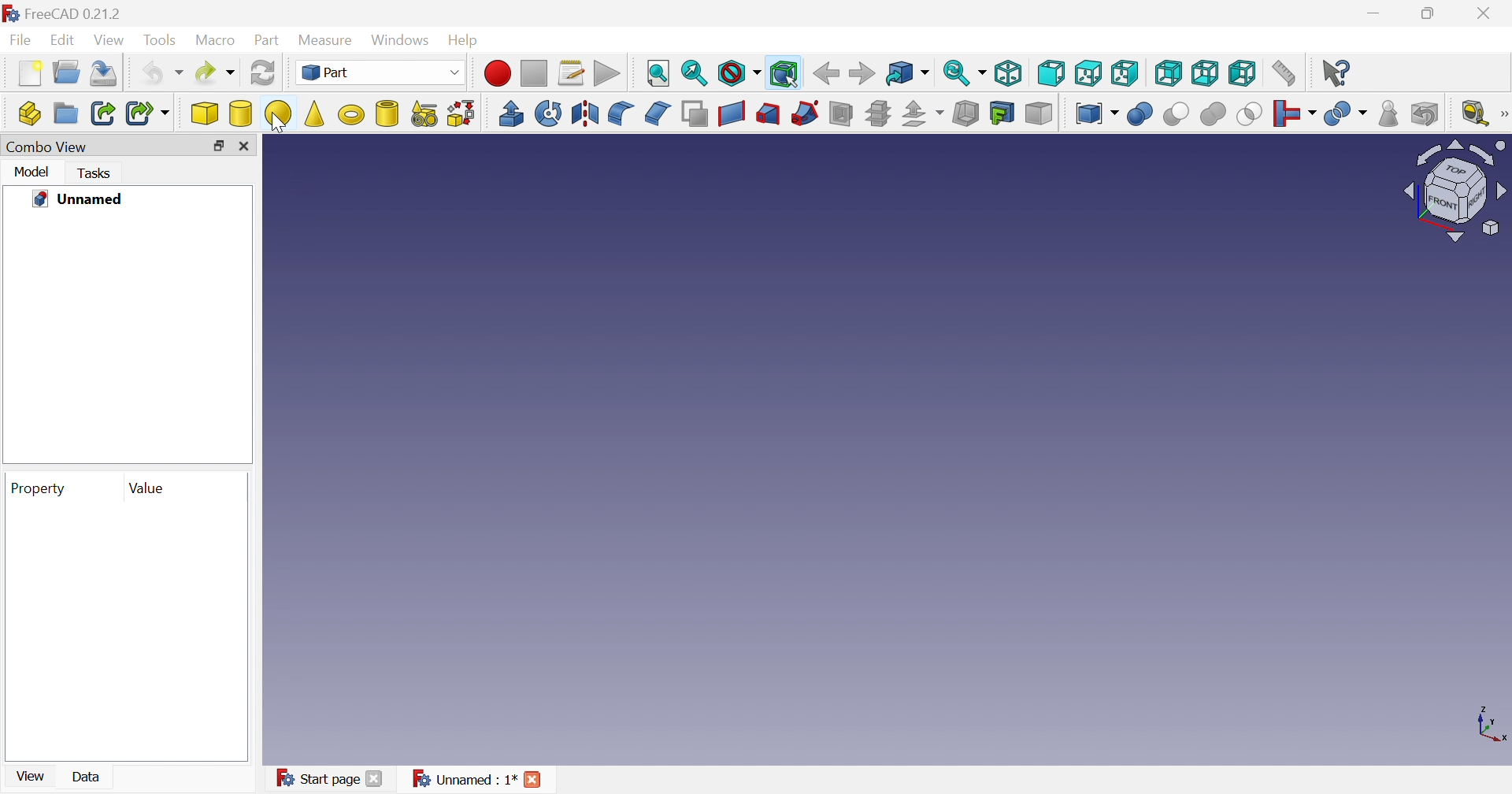 This screenshot has width=1512, height=794. Describe the element at coordinates (29, 113) in the screenshot. I see `Create part` at that location.